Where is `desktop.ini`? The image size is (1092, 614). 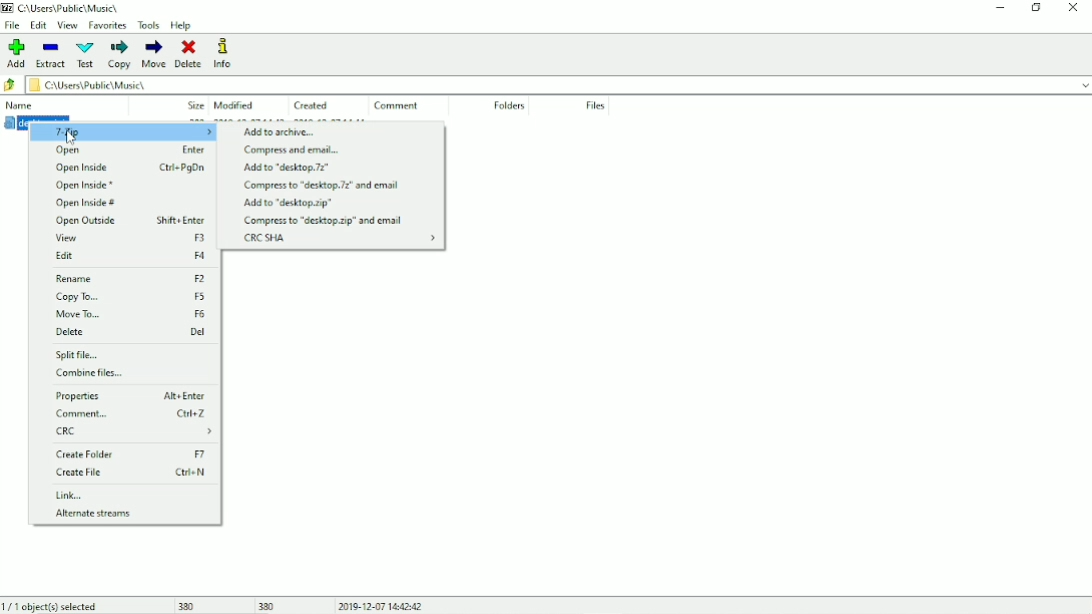 desktop.ini is located at coordinates (186, 121).